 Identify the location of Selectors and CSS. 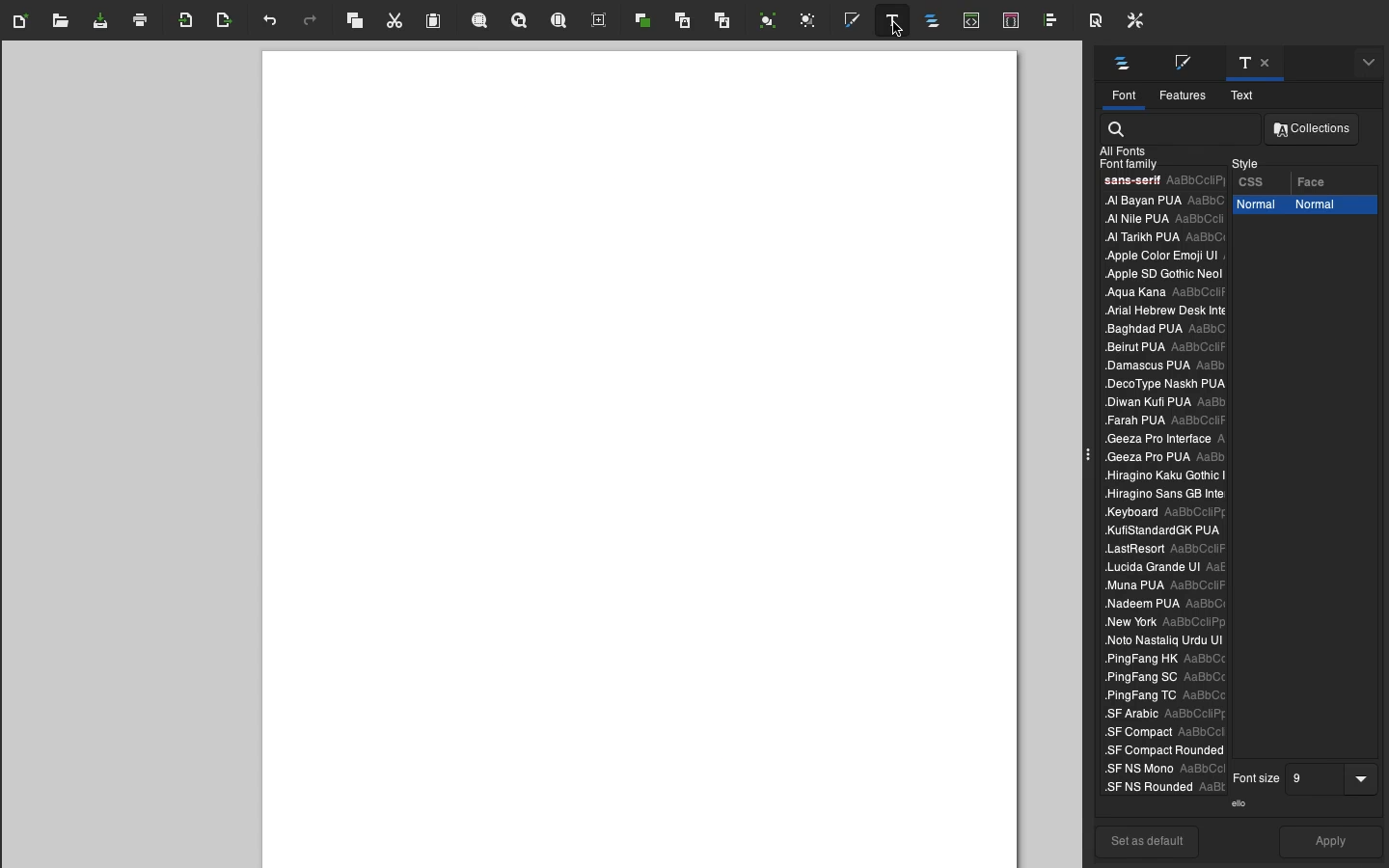
(1015, 21).